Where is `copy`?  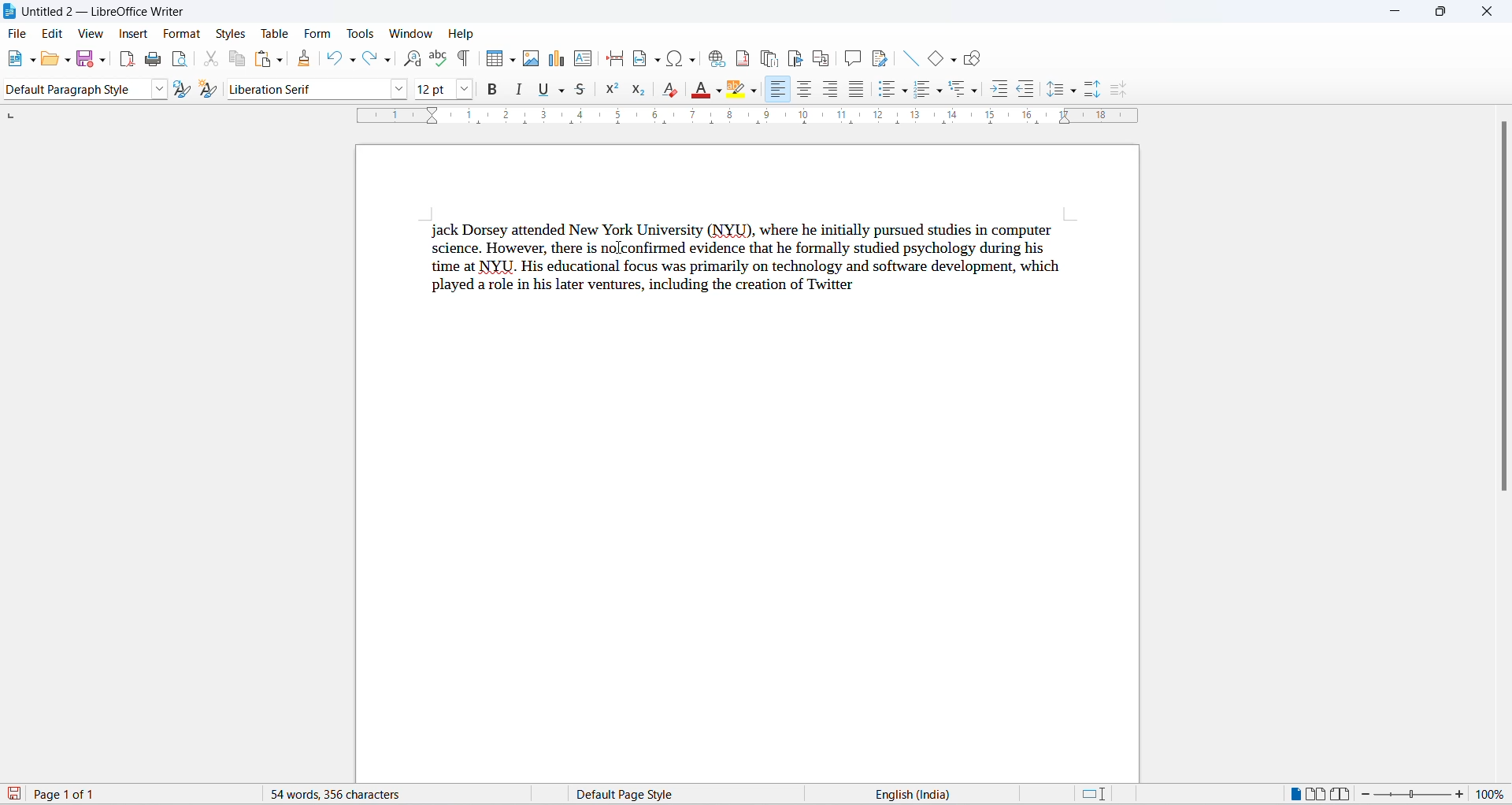
copy is located at coordinates (234, 59).